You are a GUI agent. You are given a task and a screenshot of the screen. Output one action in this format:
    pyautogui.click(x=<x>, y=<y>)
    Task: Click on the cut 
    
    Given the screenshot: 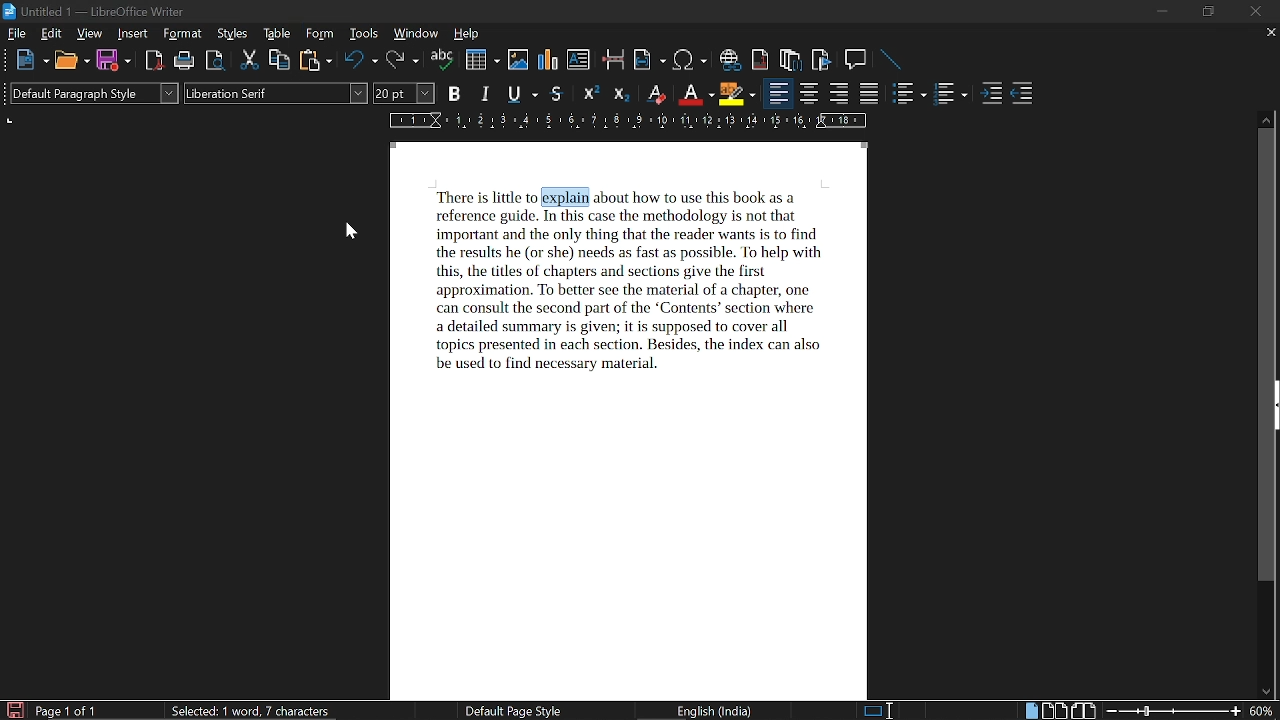 What is the action you would take?
    pyautogui.click(x=249, y=62)
    